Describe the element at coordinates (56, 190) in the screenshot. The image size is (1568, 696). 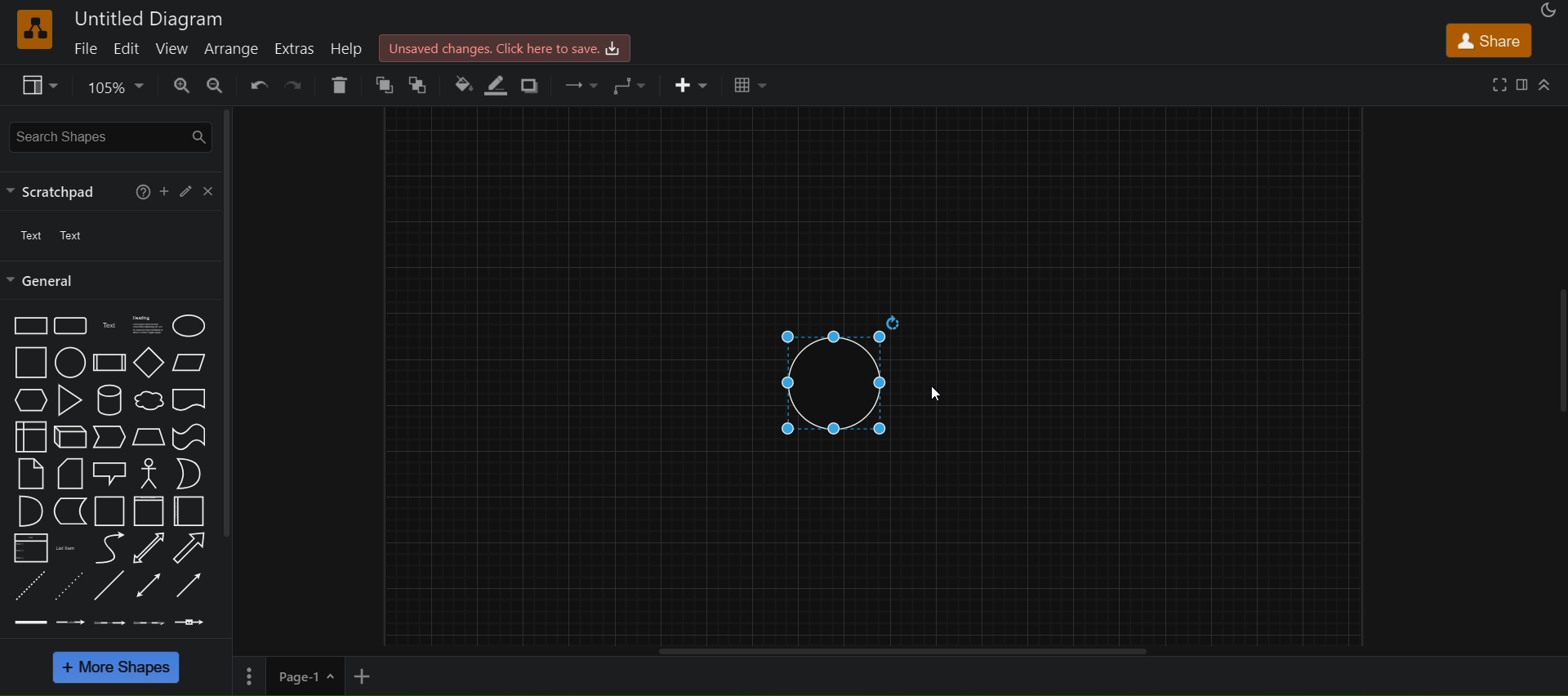
I see `scratchpad` at that location.